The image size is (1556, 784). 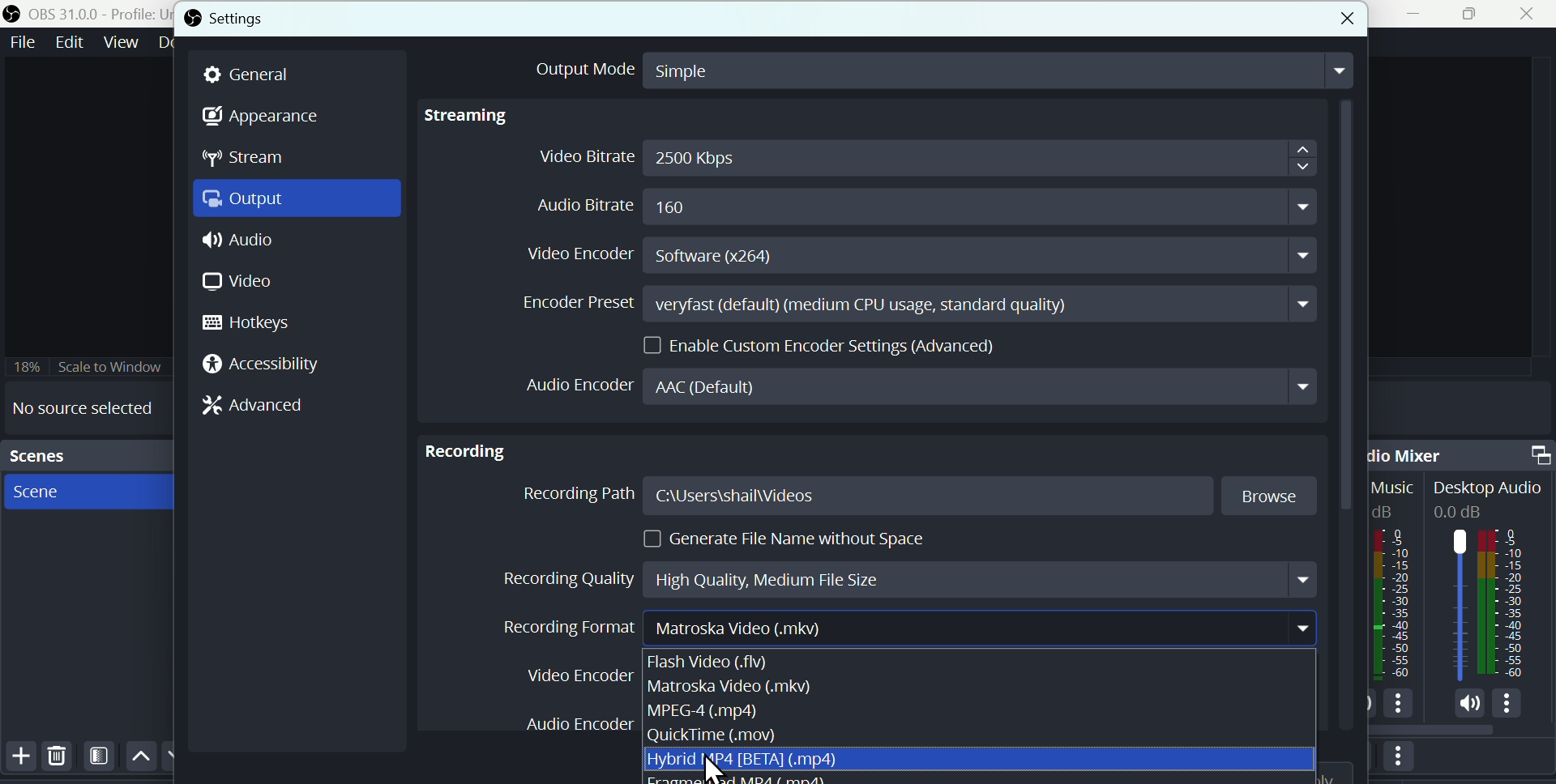 What do you see at coordinates (903, 577) in the screenshot?
I see `Recording quality` at bounding box center [903, 577].